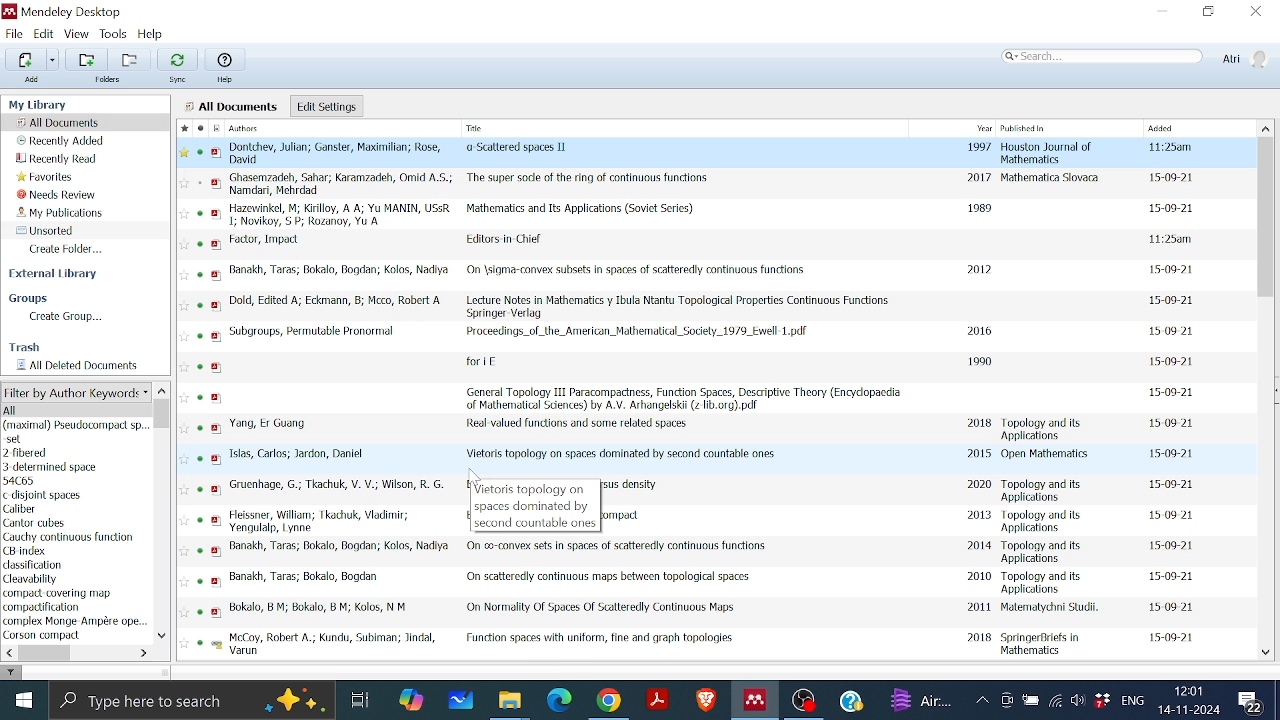 Image resolution: width=1280 pixels, height=720 pixels. I want to click on Title, so click(524, 148).